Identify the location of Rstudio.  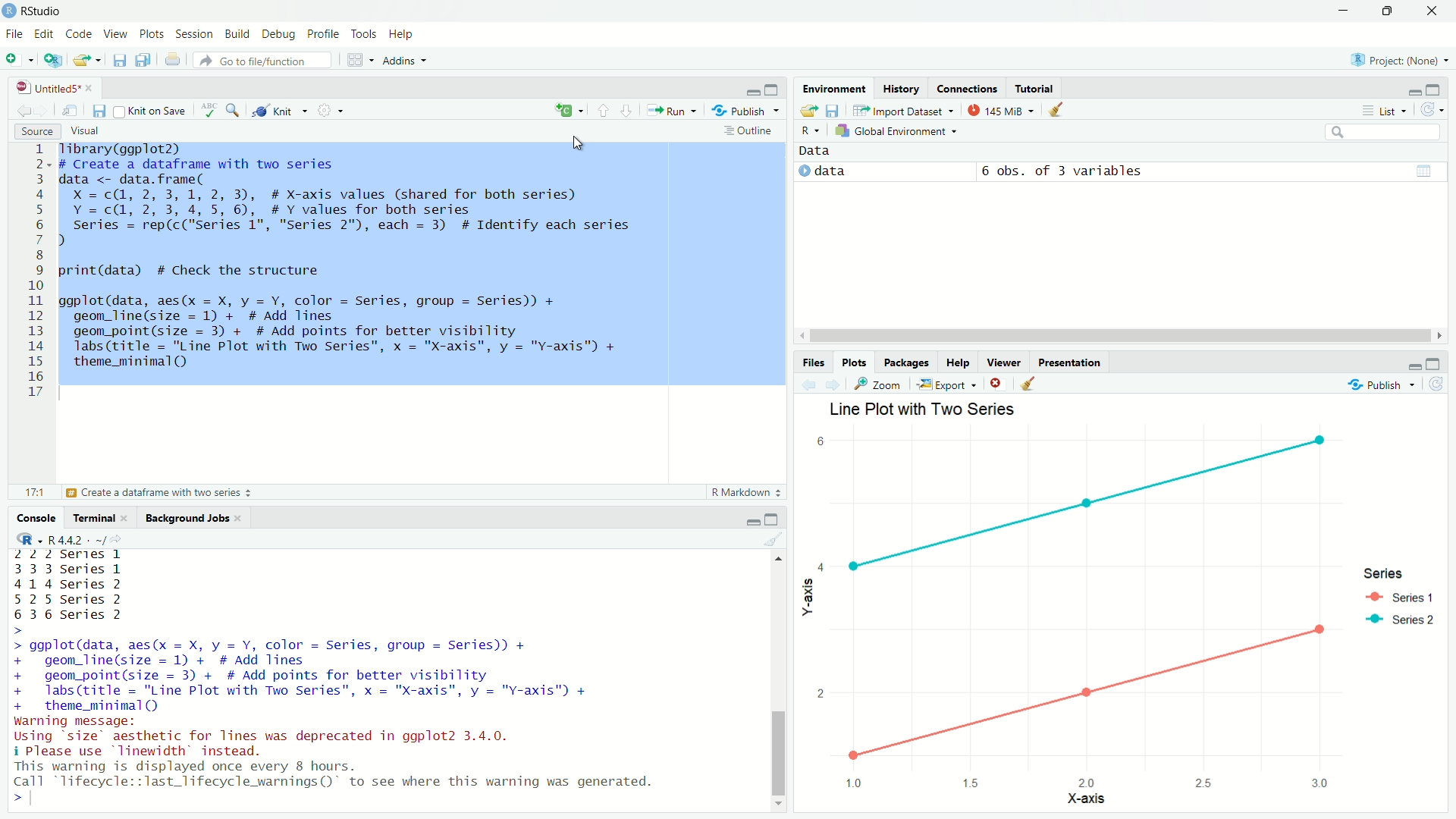
(36, 11).